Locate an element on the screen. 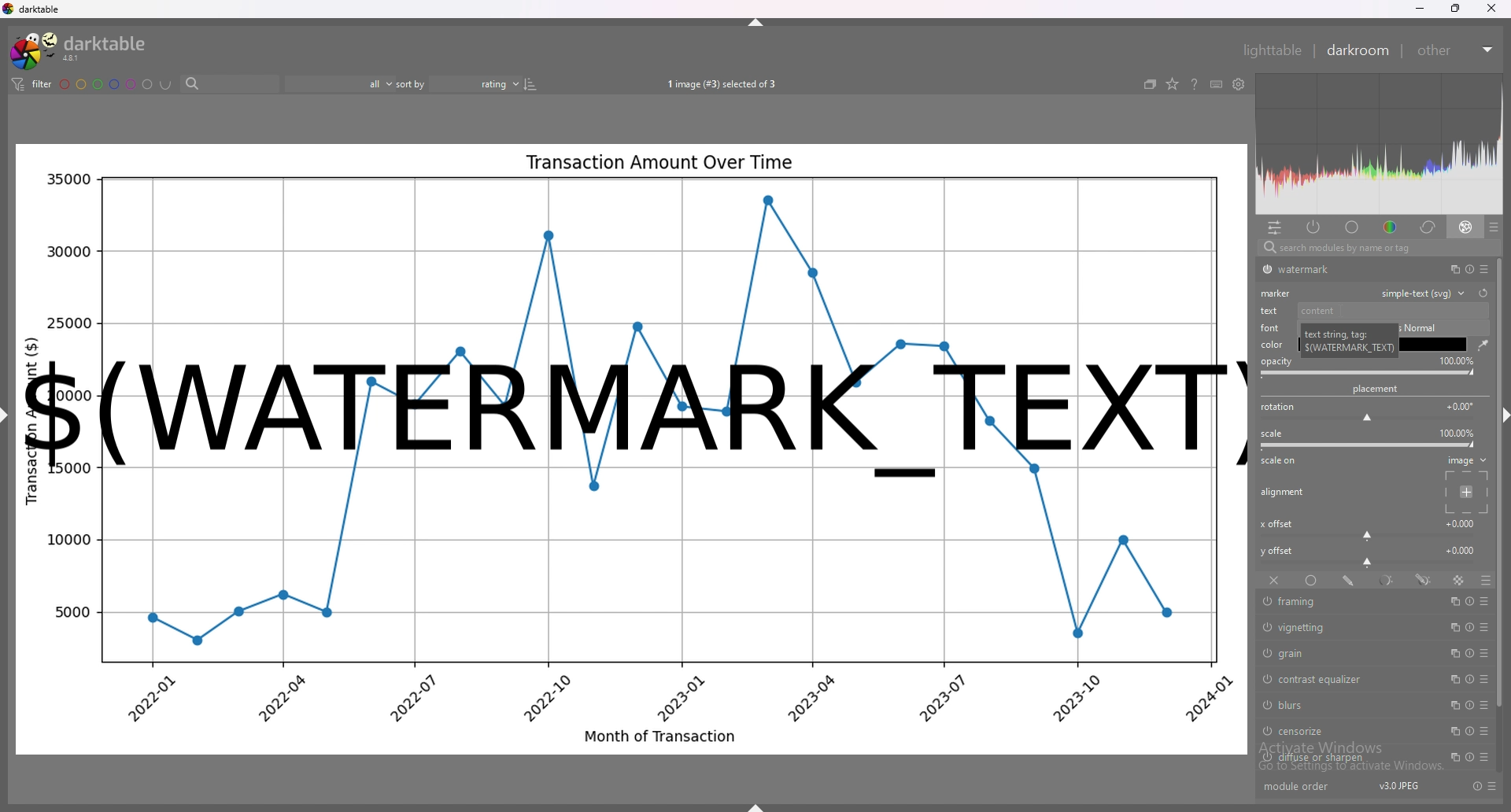  scale bar is located at coordinates (1369, 445).